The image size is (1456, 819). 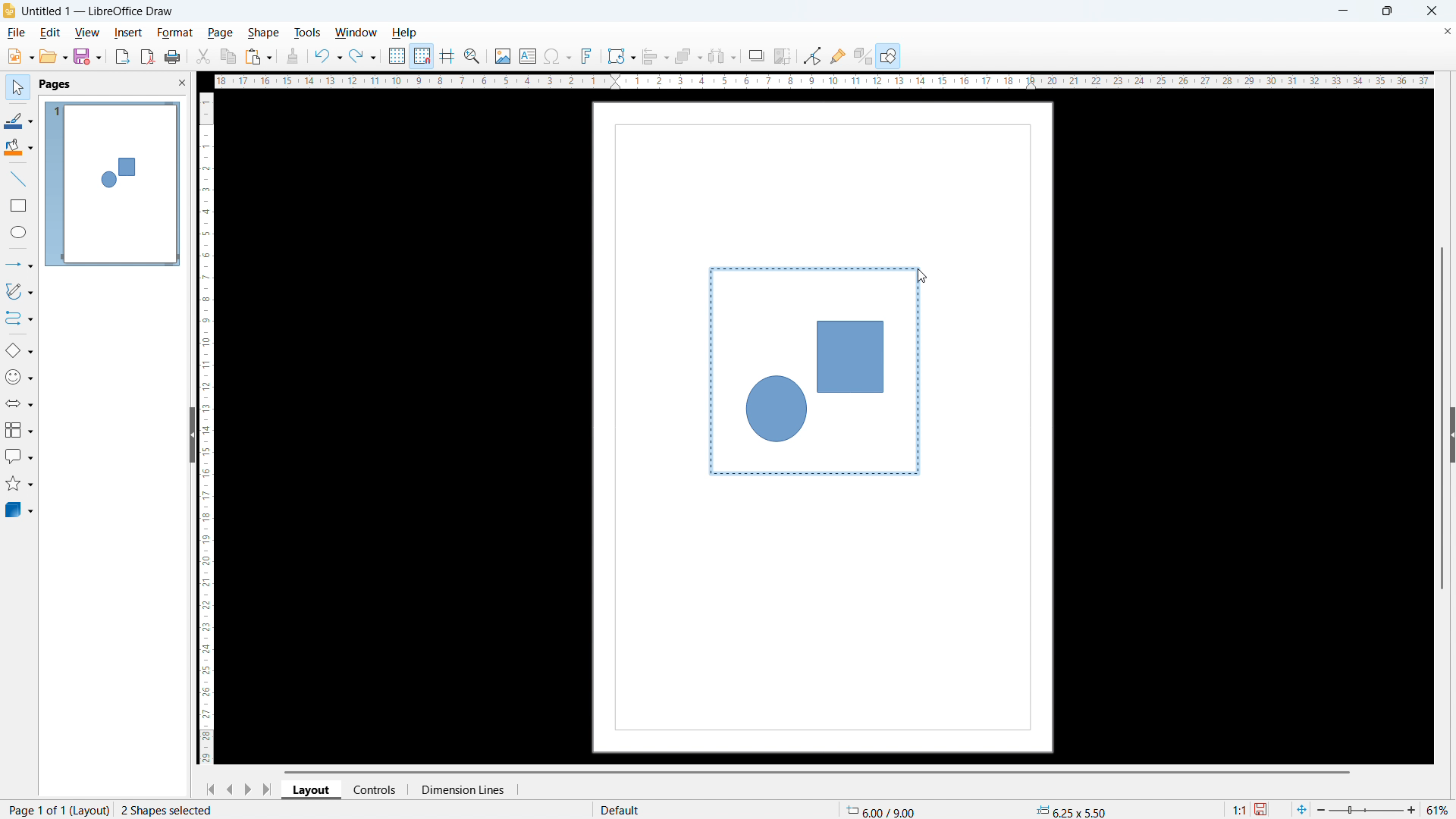 I want to click on insert symbols, so click(x=557, y=57).